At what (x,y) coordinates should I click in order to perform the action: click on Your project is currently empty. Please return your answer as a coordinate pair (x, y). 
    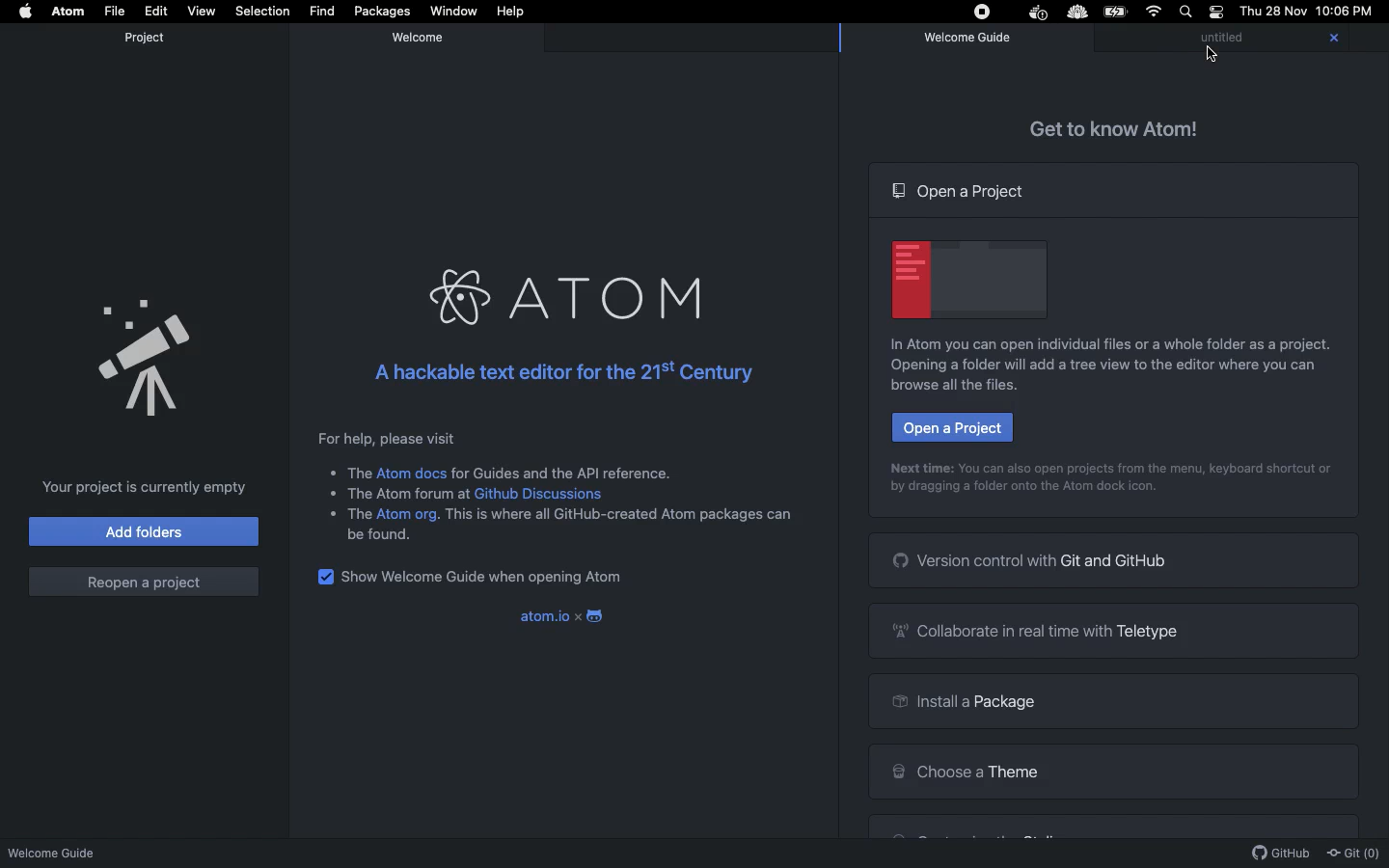
    Looking at the image, I should click on (144, 485).